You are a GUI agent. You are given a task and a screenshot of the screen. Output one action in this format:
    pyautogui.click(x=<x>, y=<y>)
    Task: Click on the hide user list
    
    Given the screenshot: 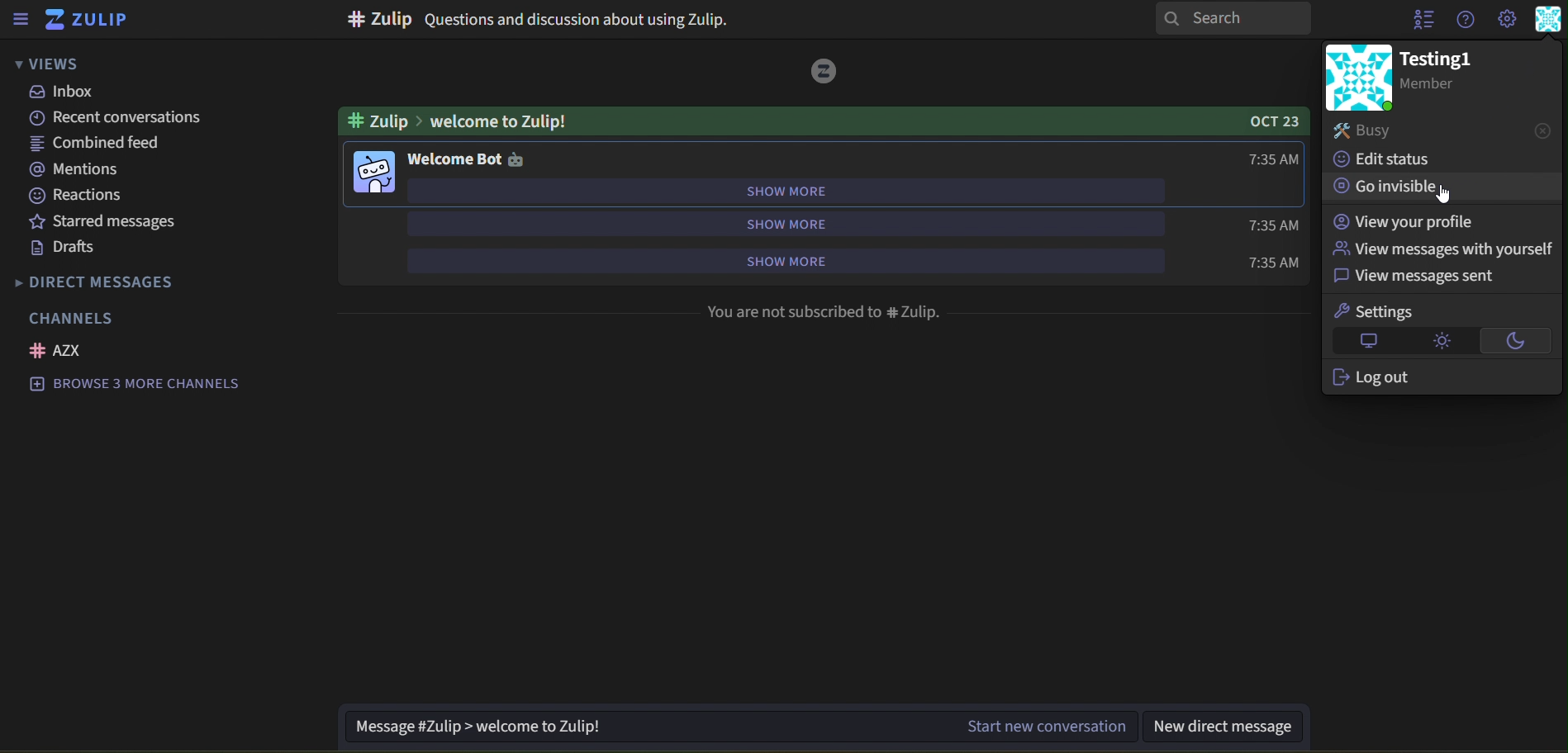 What is the action you would take?
    pyautogui.click(x=1419, y=22)
    